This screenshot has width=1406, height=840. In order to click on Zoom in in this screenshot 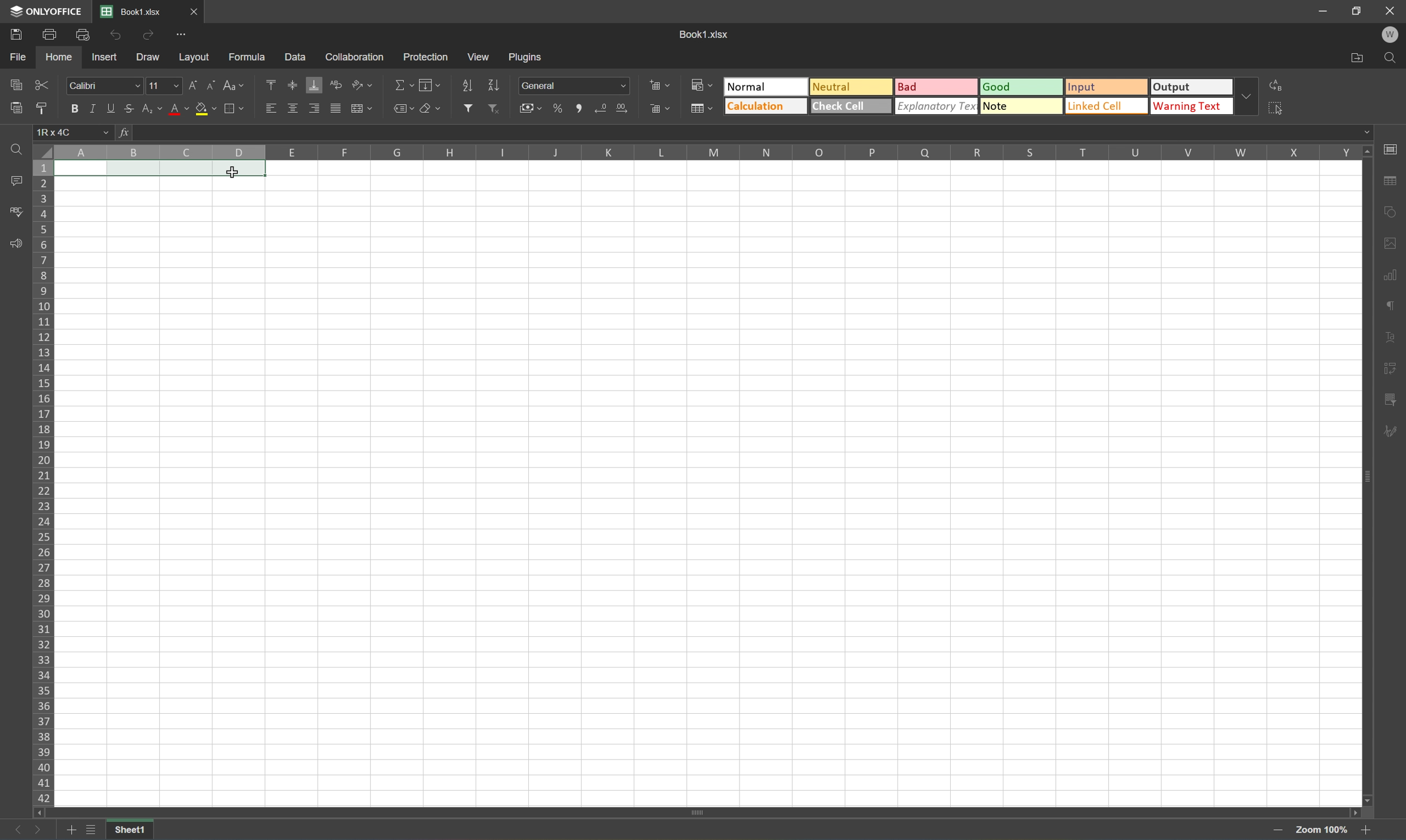, I will do `click(1280, 830)`.